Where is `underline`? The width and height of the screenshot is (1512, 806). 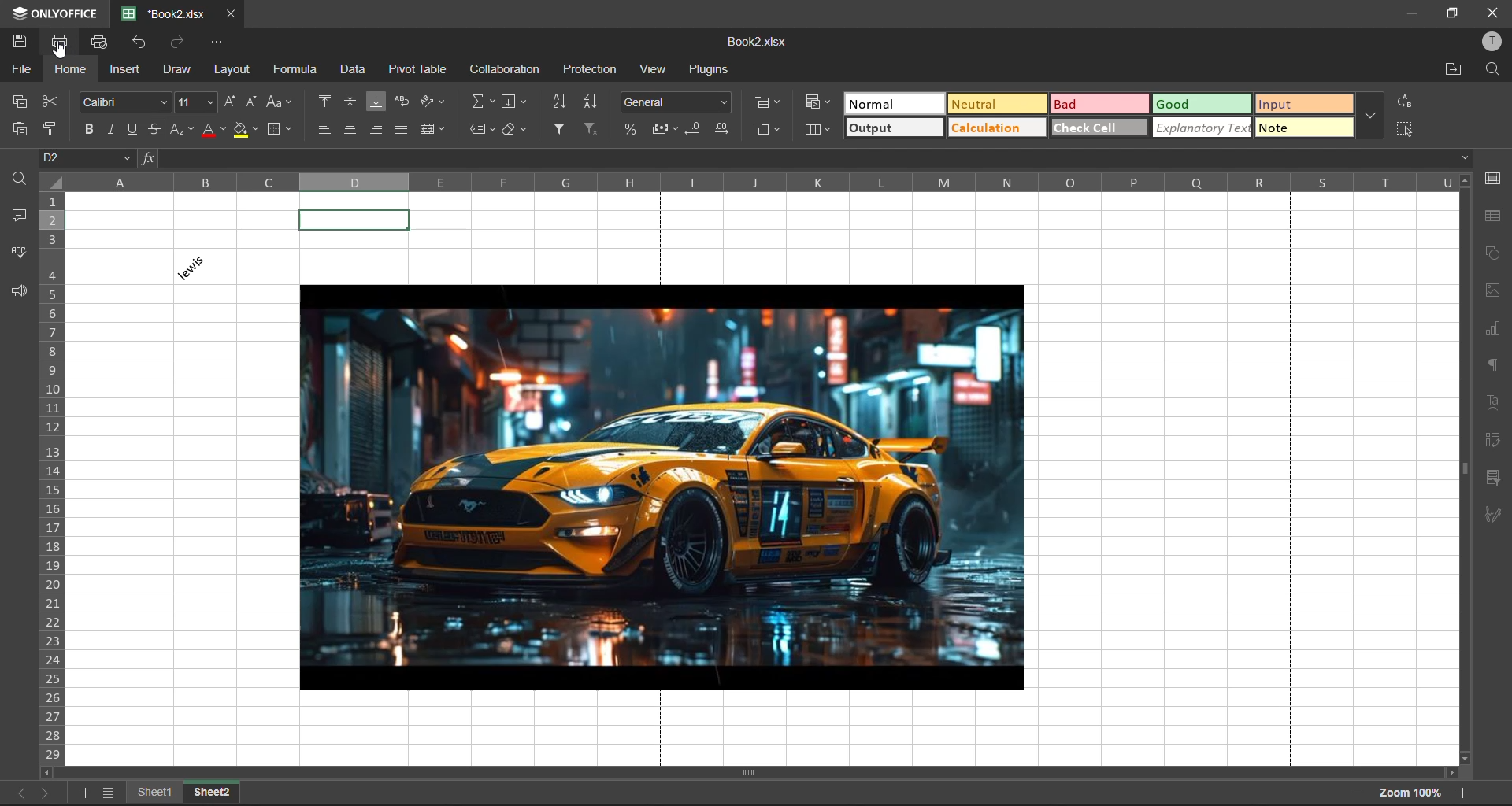 underline is located at coordinates (137, 128).